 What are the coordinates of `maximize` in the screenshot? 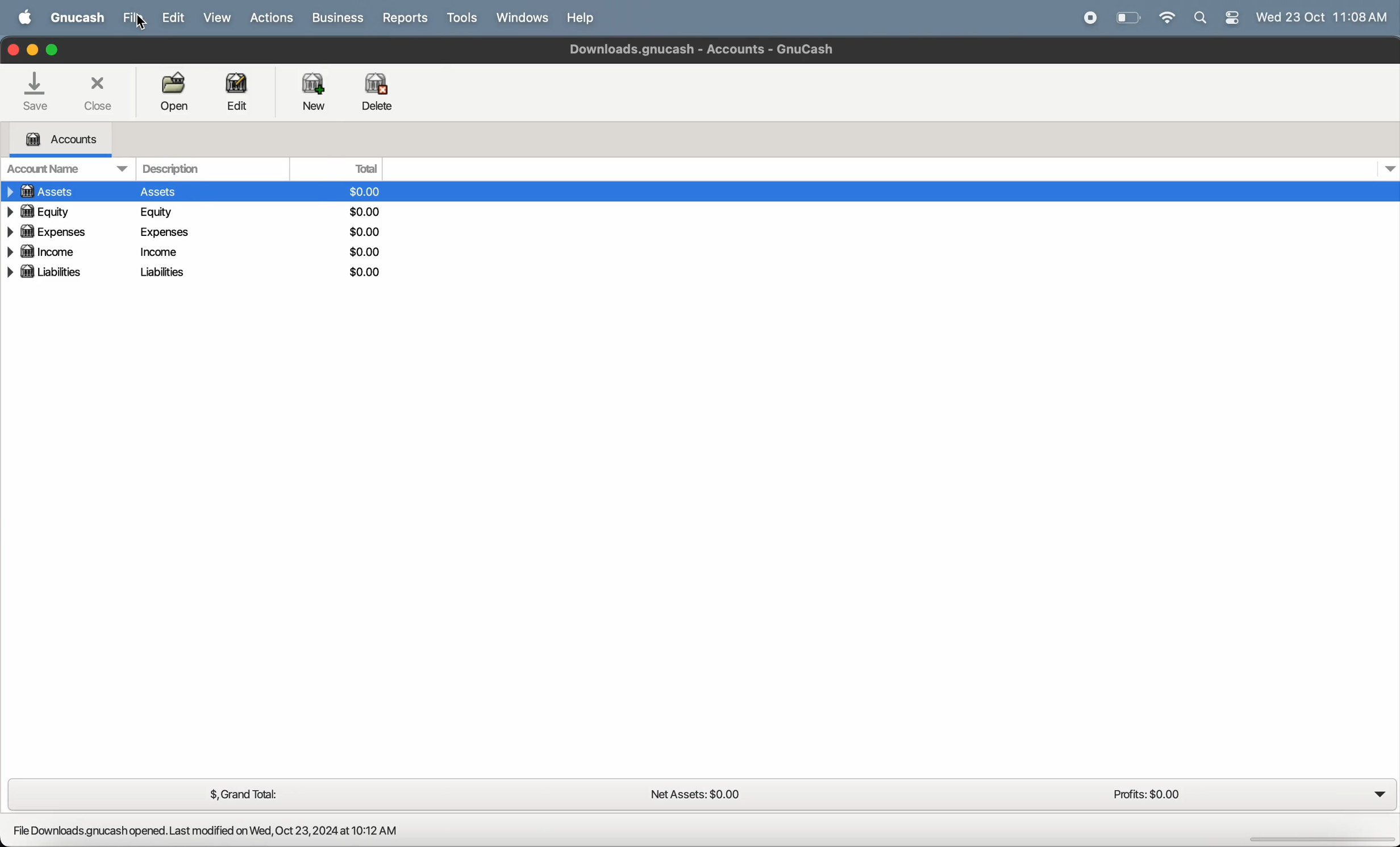 It's located at (51, 48).